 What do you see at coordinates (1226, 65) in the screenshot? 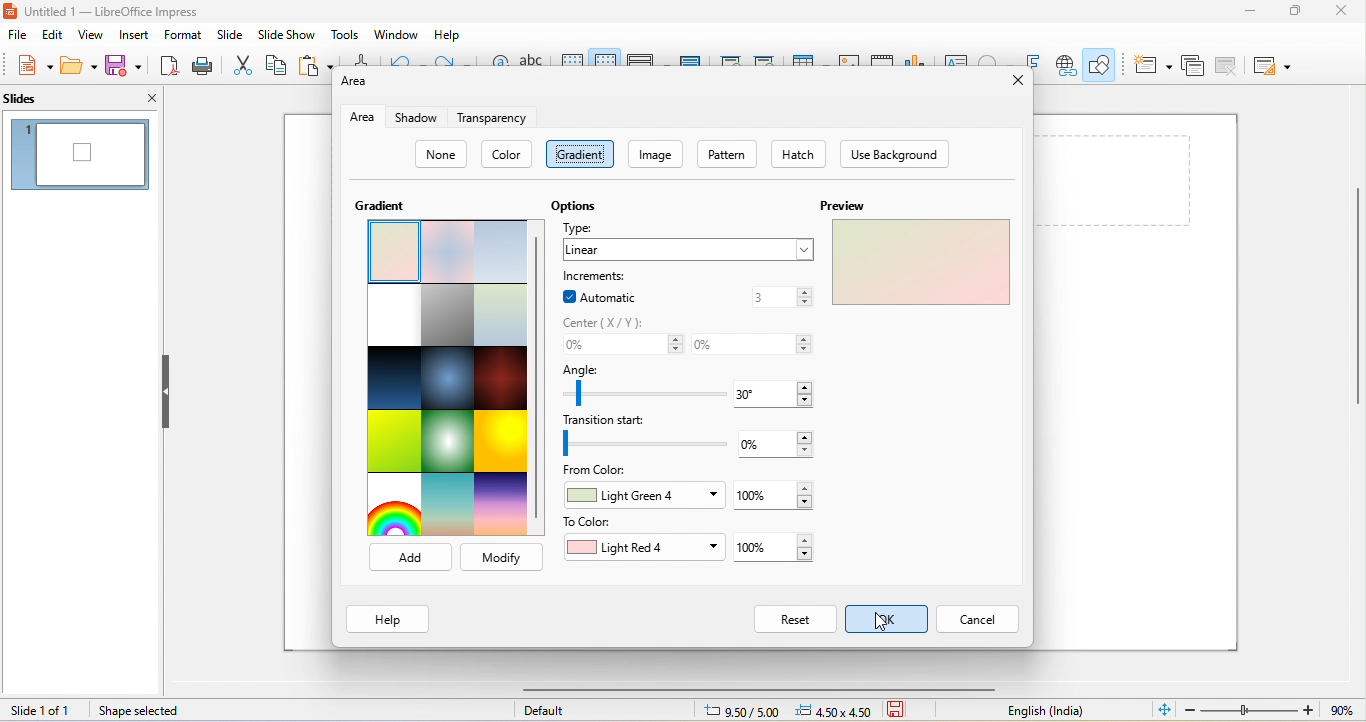
I see `delete slide` at bounding box center [1226, 65].